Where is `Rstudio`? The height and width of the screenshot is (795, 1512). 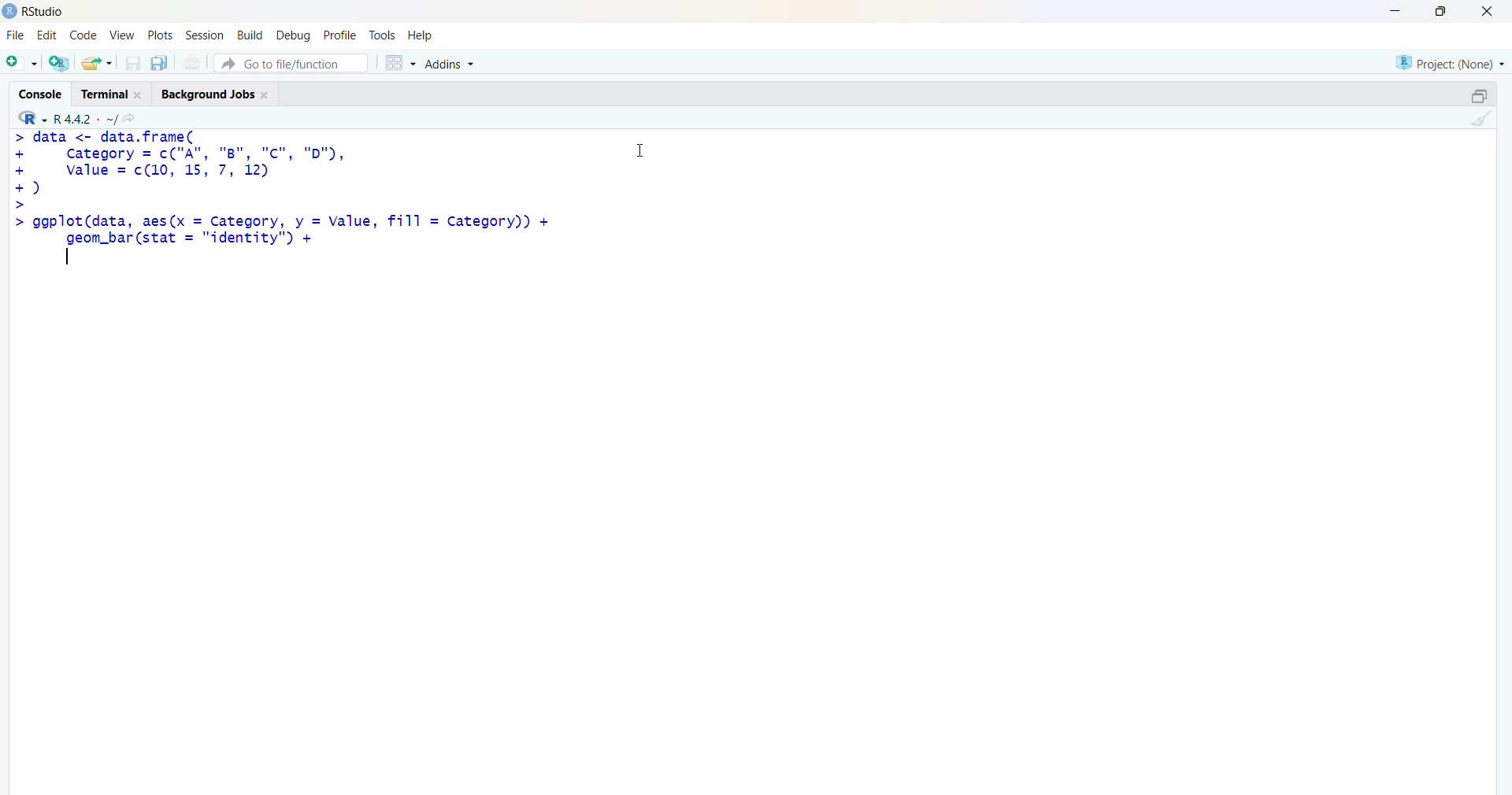 Rstudio is located at coordinates (48, 12).